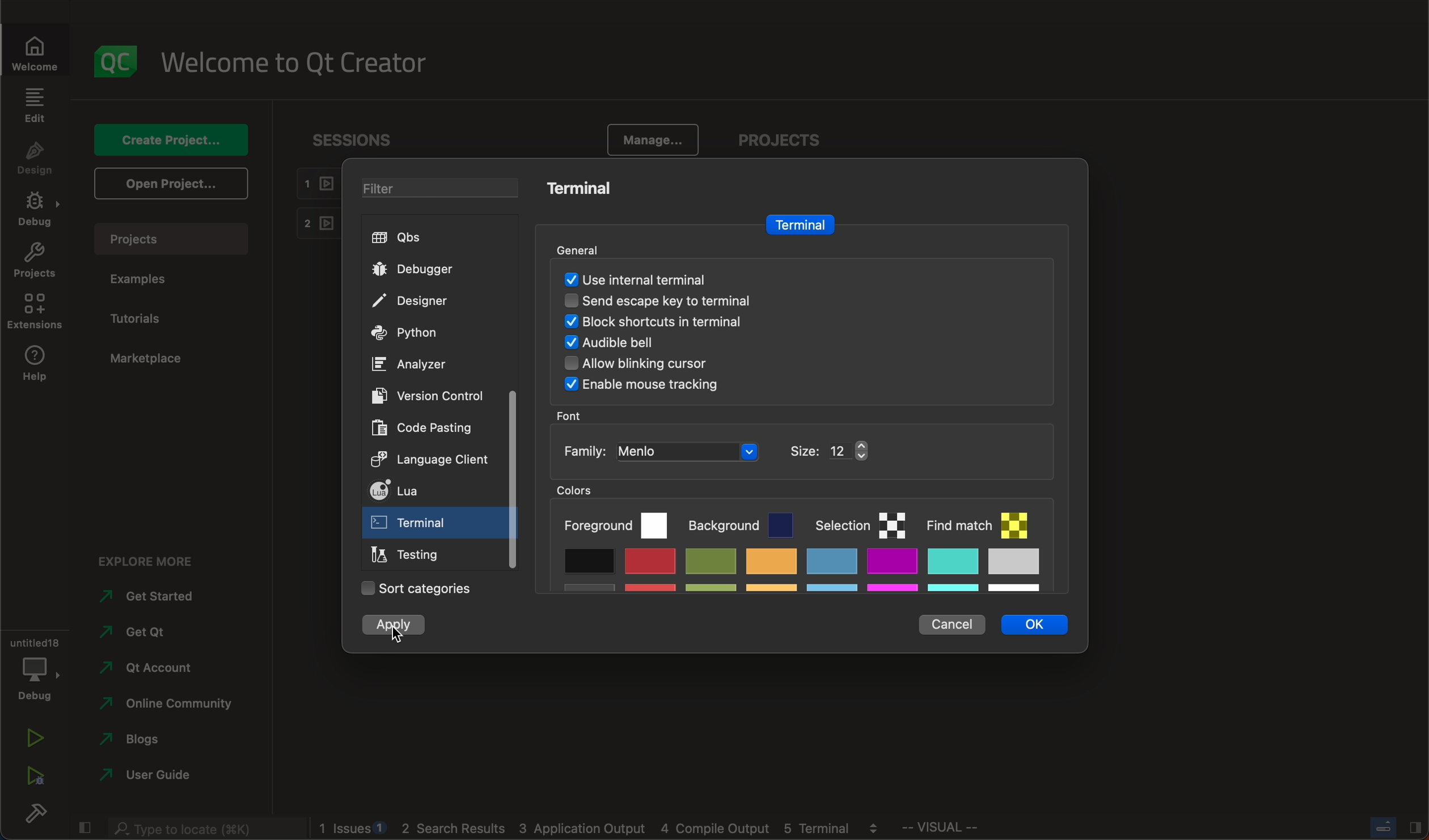 This screenshot has width=1429, height=840. Describe the element at coordinates (38, 158) in the screenshot. I see `design` at that location.